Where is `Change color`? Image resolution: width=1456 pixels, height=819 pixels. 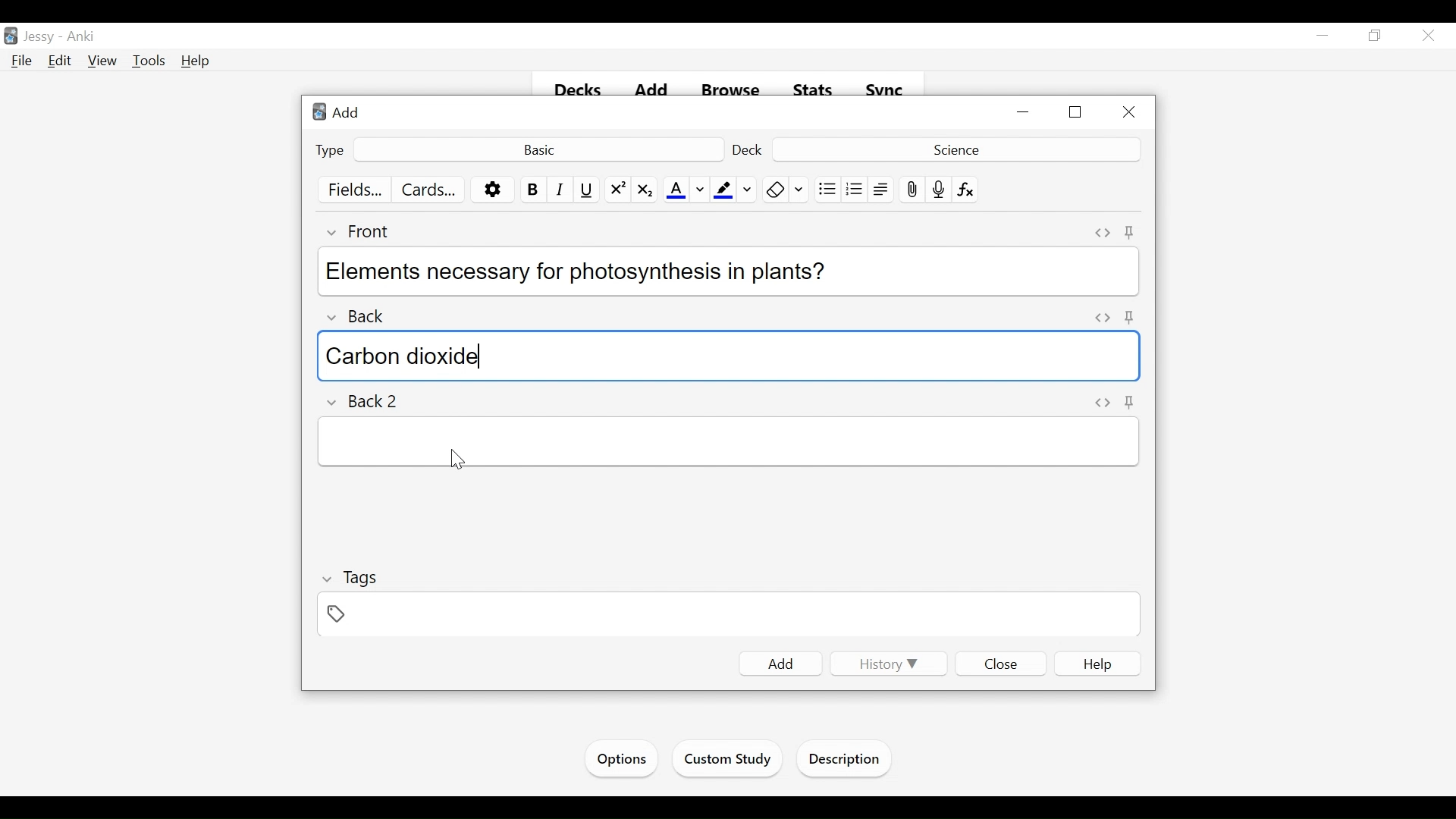 Change color is located at coordinates (800, 190).